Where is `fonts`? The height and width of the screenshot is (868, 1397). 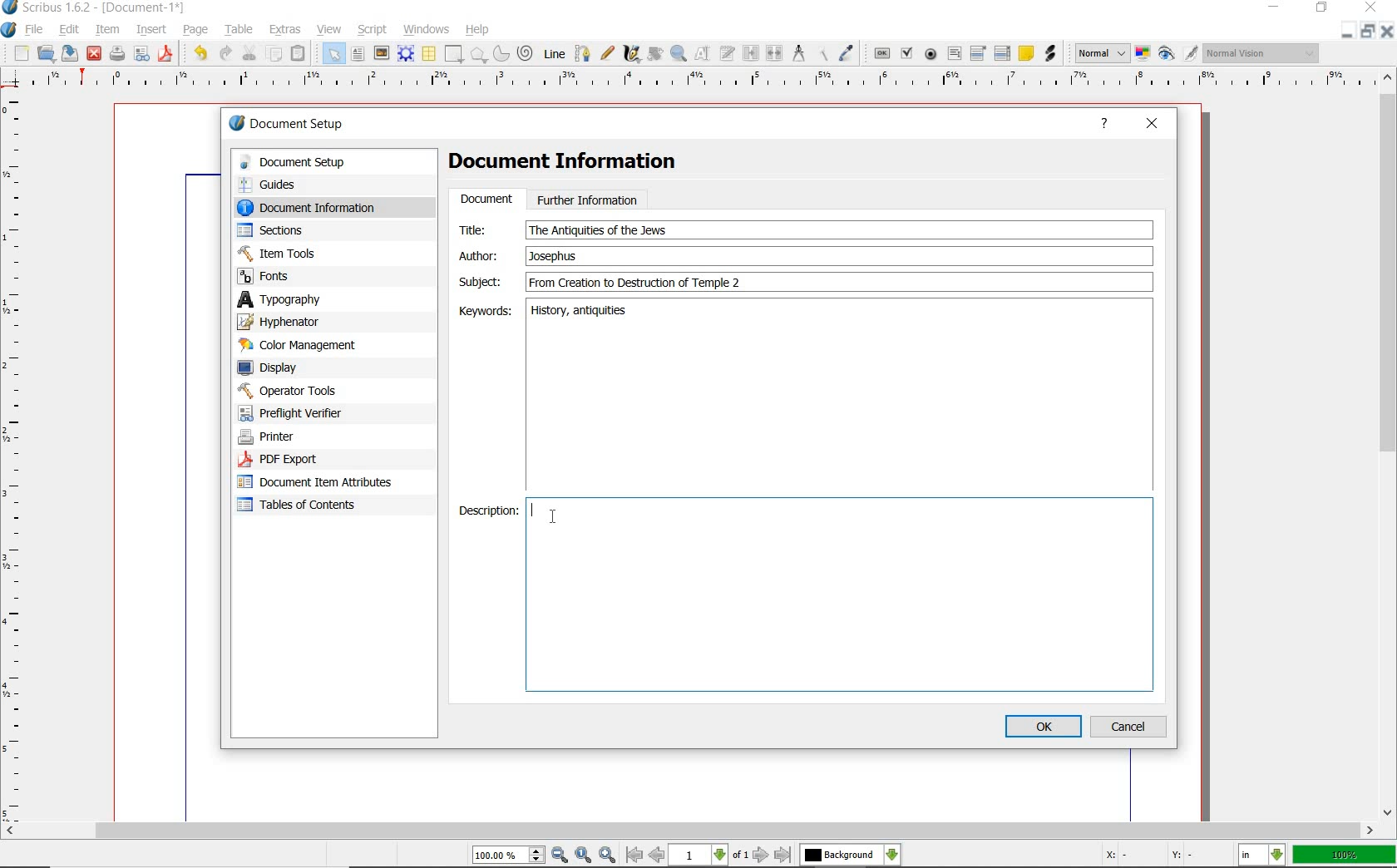
fonts is located at coordinates (315, 277).